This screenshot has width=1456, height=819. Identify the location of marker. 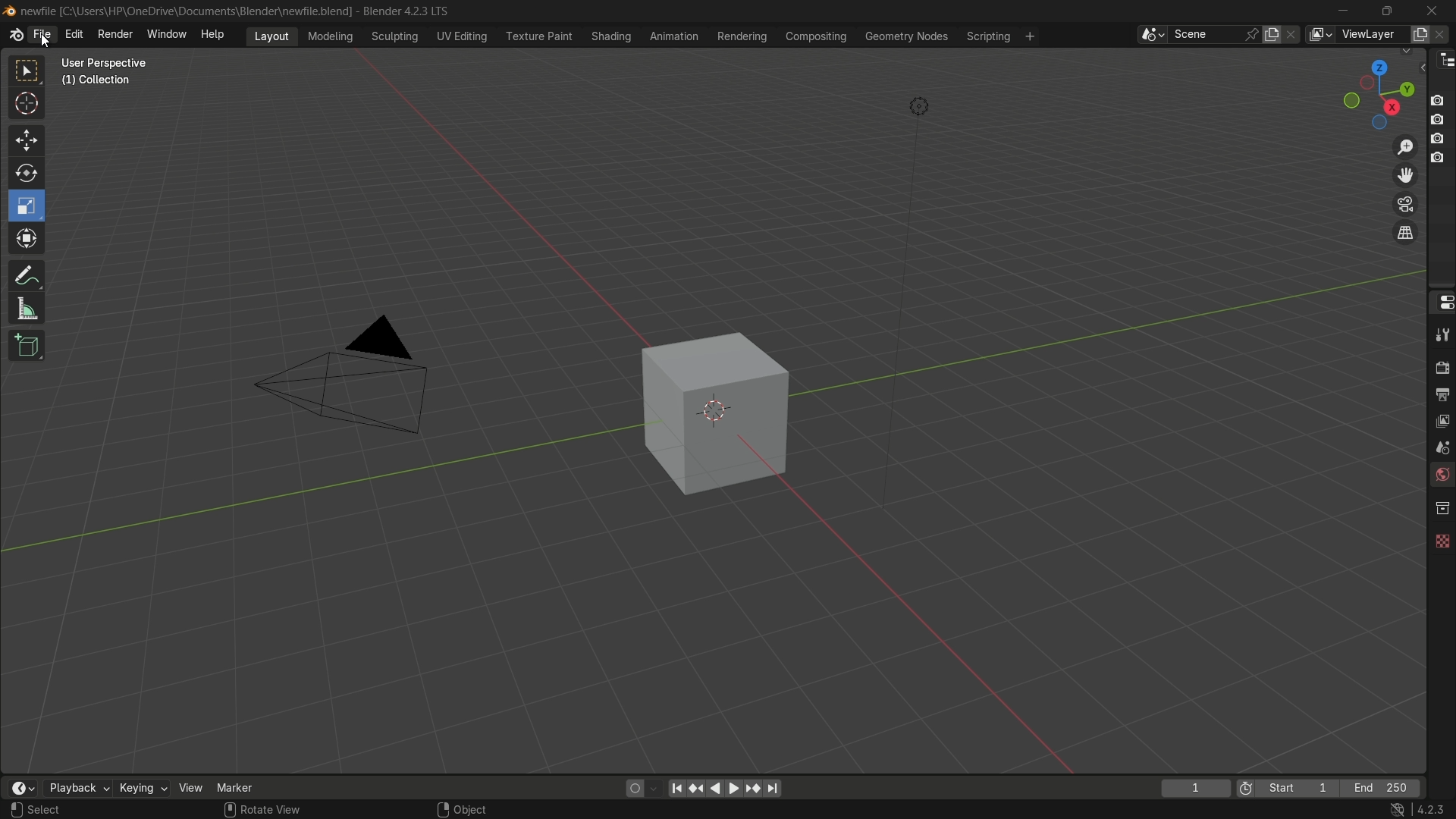
(246, 786).